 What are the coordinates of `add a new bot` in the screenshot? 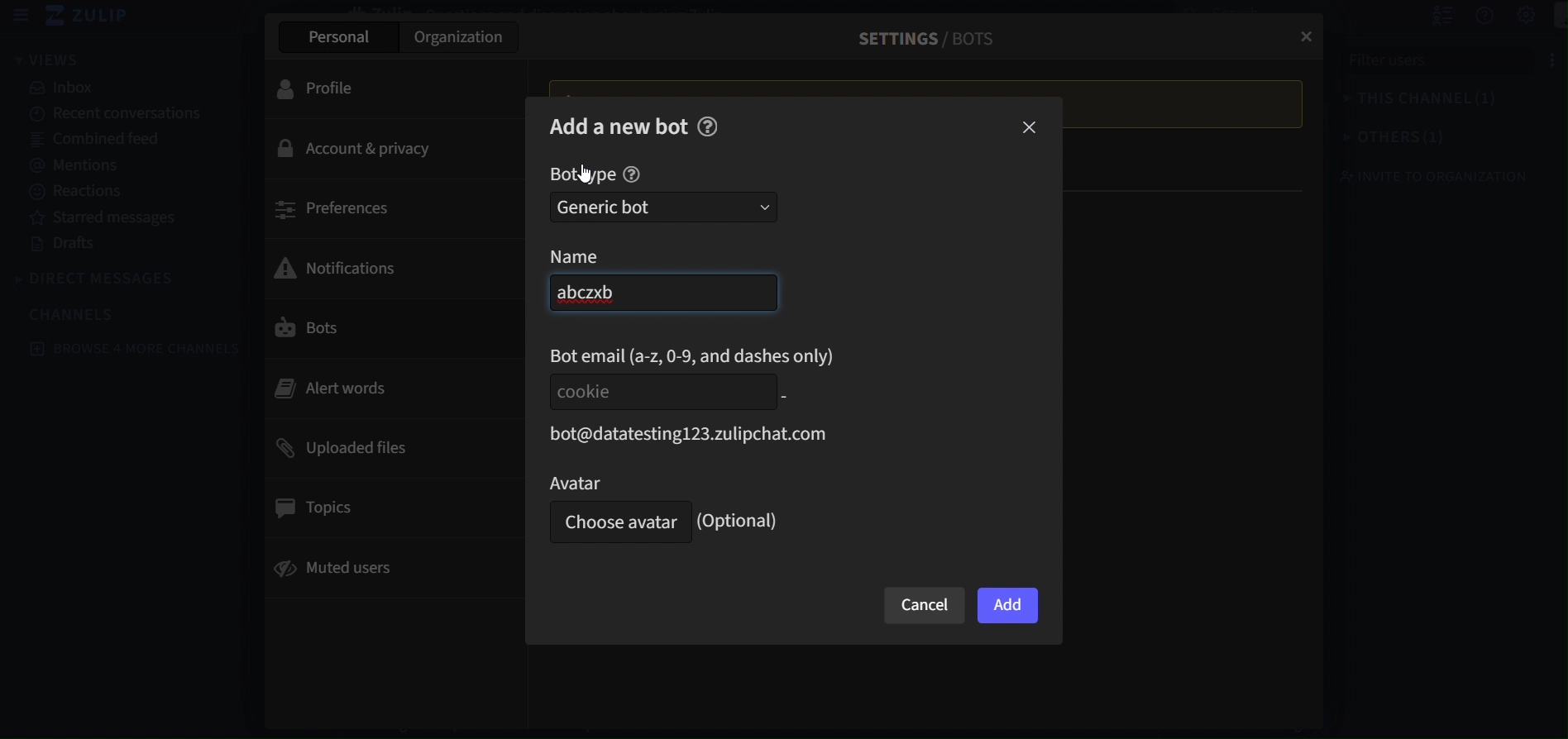 It's located at (619, 125).